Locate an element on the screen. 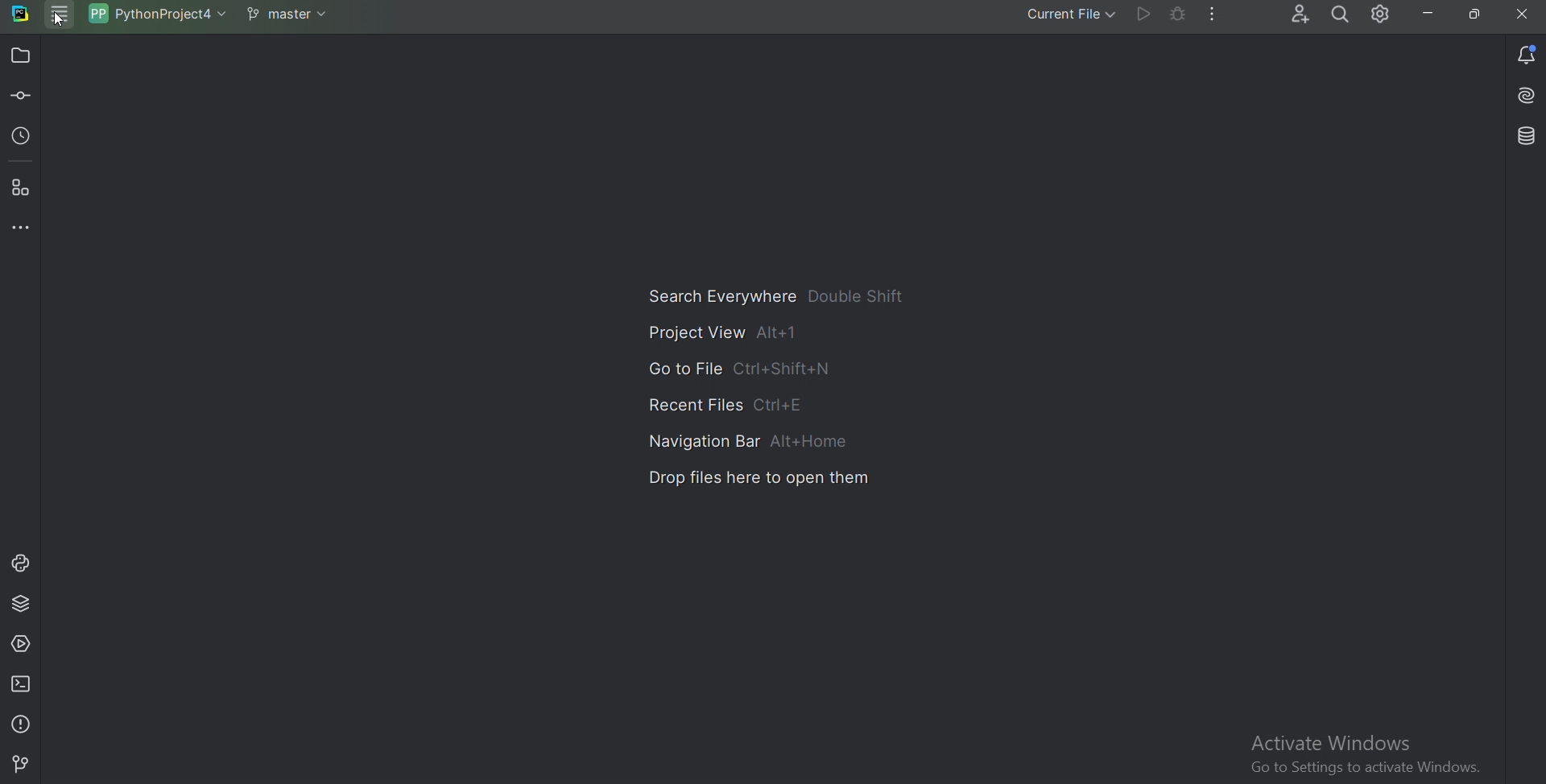 Image resolution: width=1546 pixels, height=784 pixels. Drop files here to open them is located at coordinates (760, 476).